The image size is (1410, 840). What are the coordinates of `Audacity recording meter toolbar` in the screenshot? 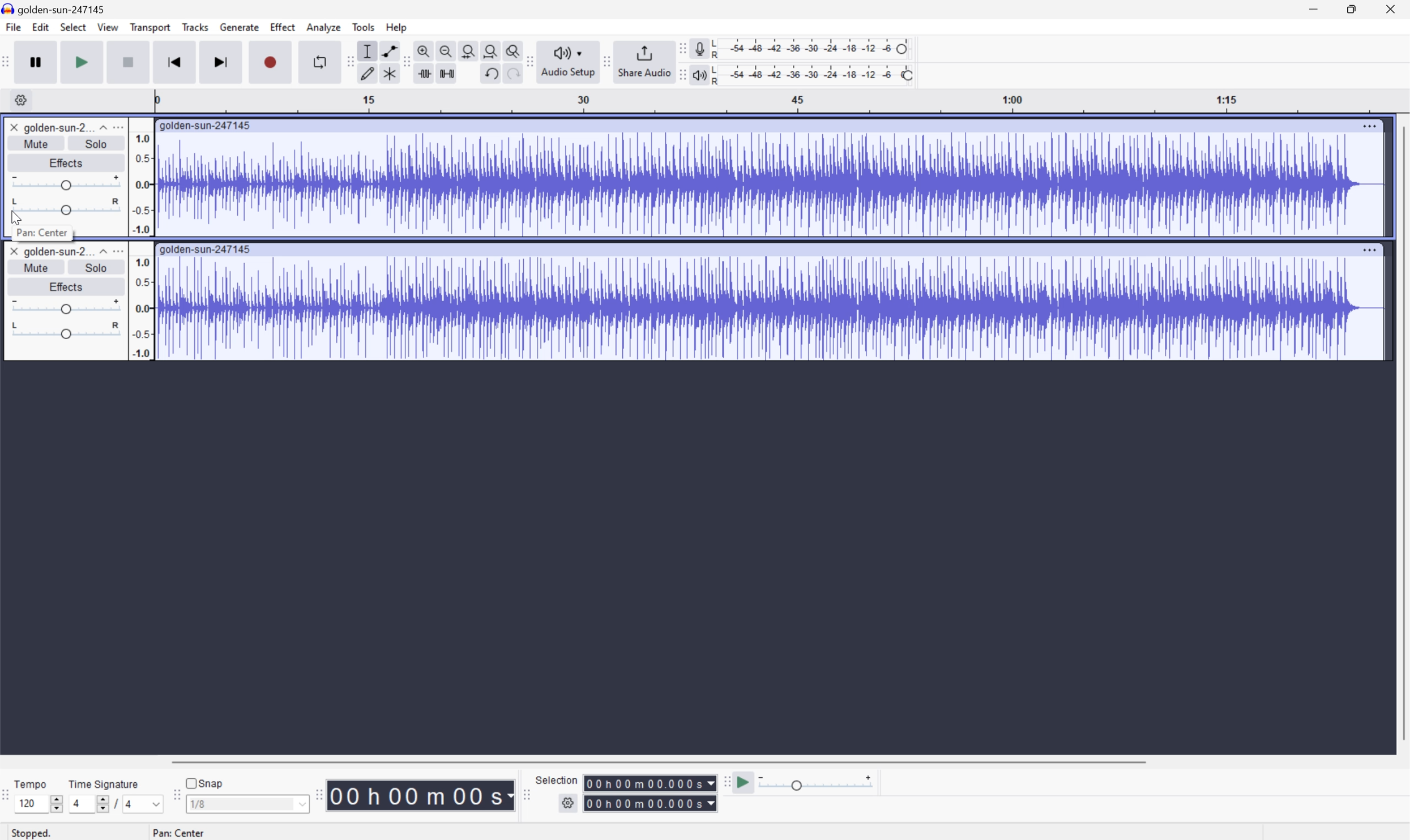 It's located at (678, 47).